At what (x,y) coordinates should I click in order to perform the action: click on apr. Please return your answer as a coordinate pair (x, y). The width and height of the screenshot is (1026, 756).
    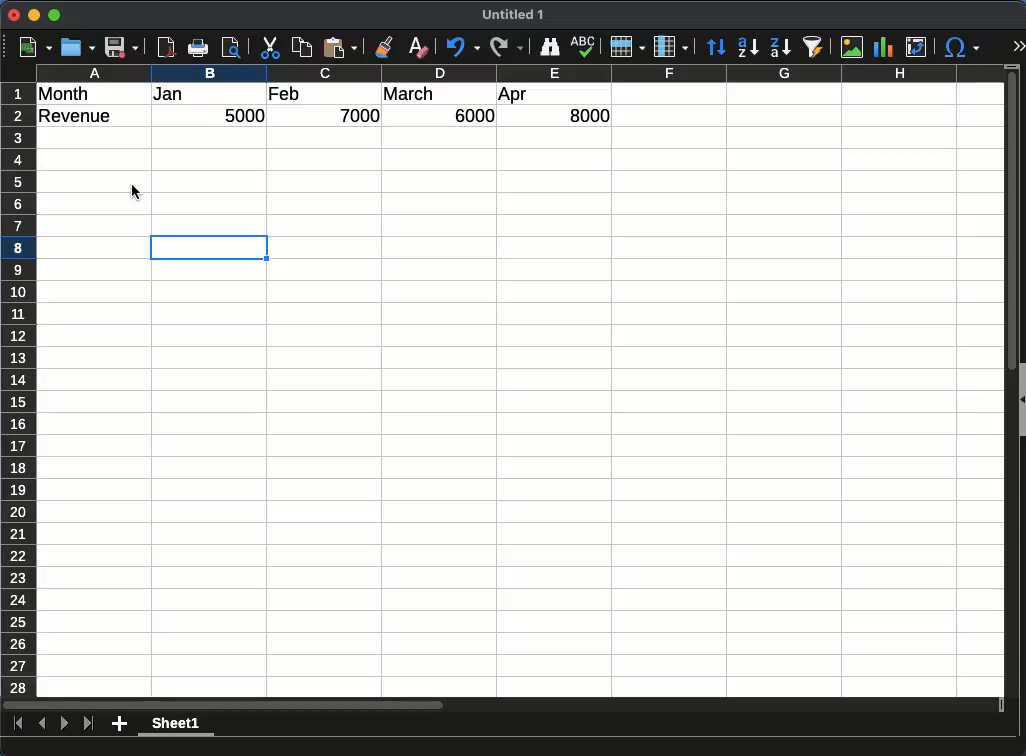
    Looking at the image, I should click on (512, 96).